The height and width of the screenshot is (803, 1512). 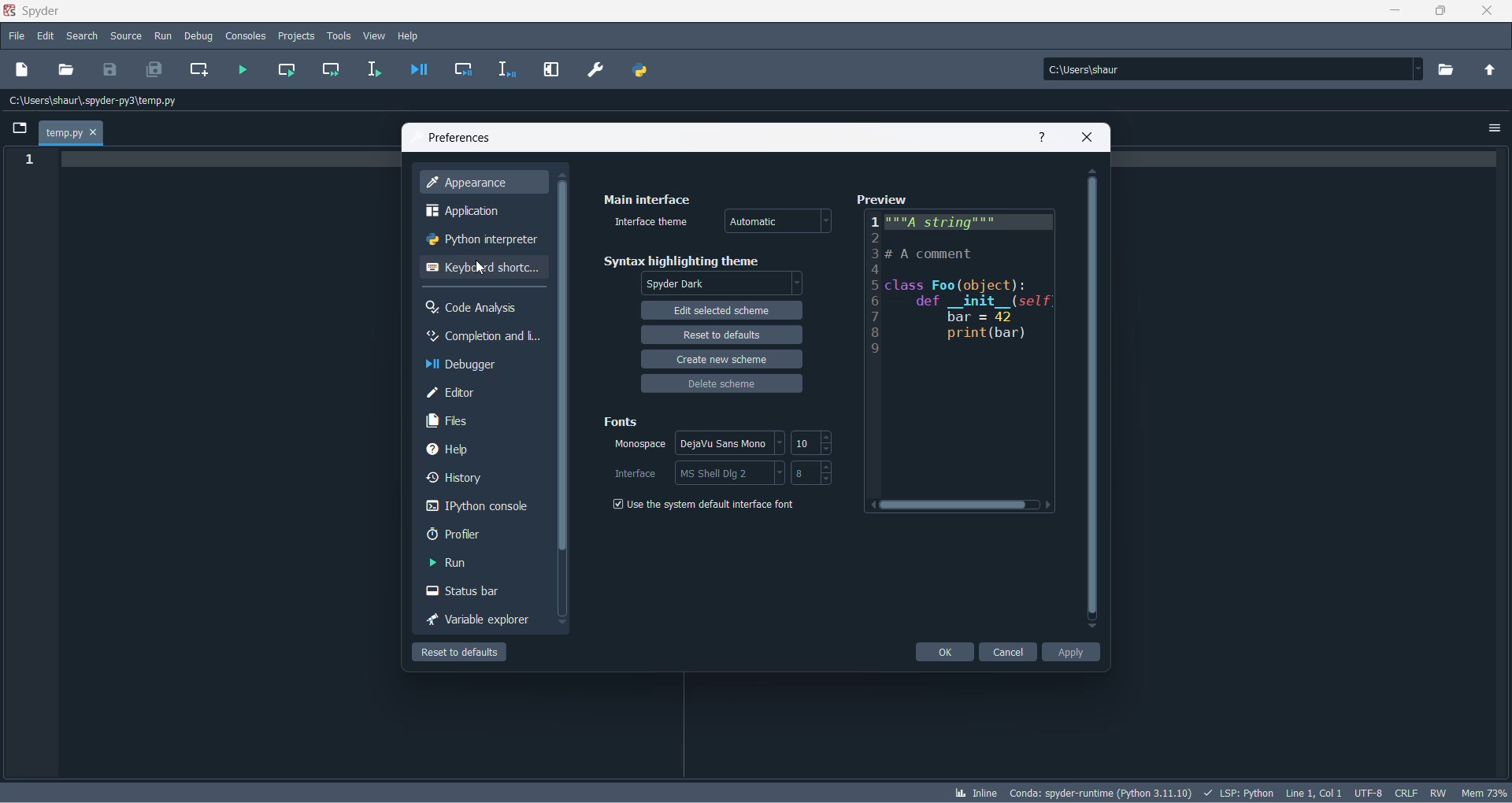 What do you see at coordinates (621, 424) in the screenshot?
I see `fonts` at bounding box center [621, 424].